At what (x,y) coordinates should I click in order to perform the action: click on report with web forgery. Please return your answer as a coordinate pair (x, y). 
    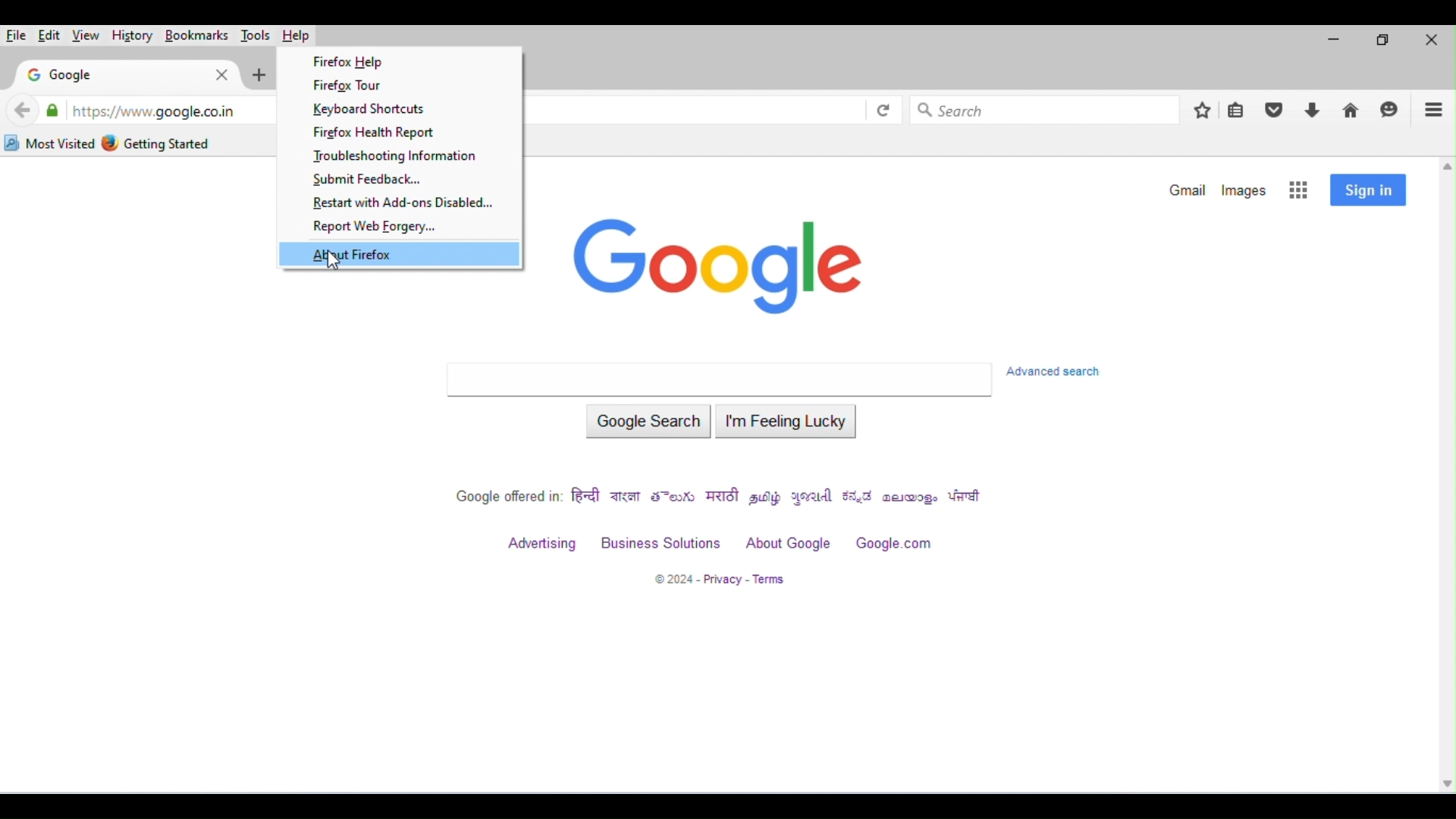
    Looking at the image, I should click on (375, 227).